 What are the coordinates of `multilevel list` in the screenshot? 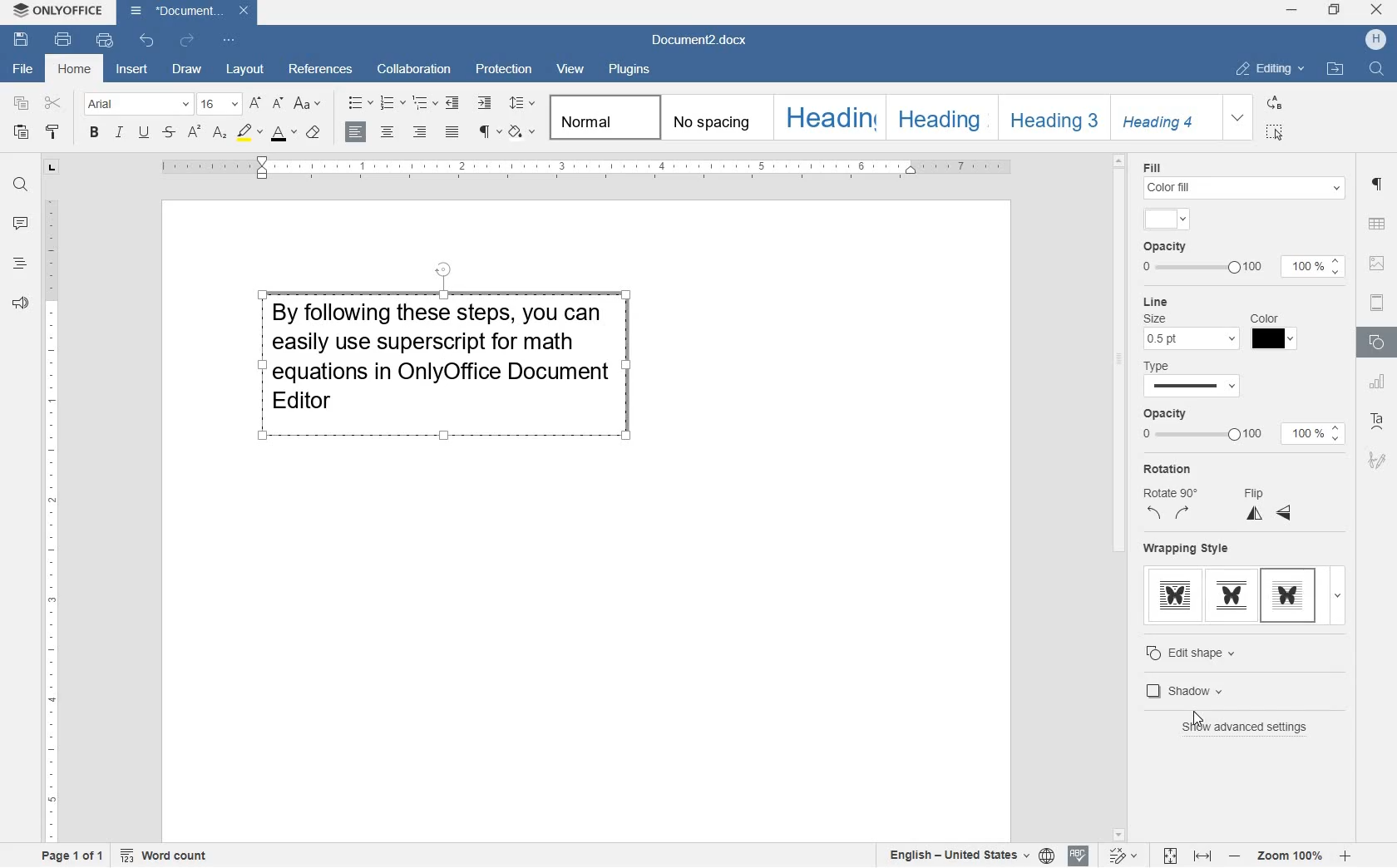 It's located at (426, 103).